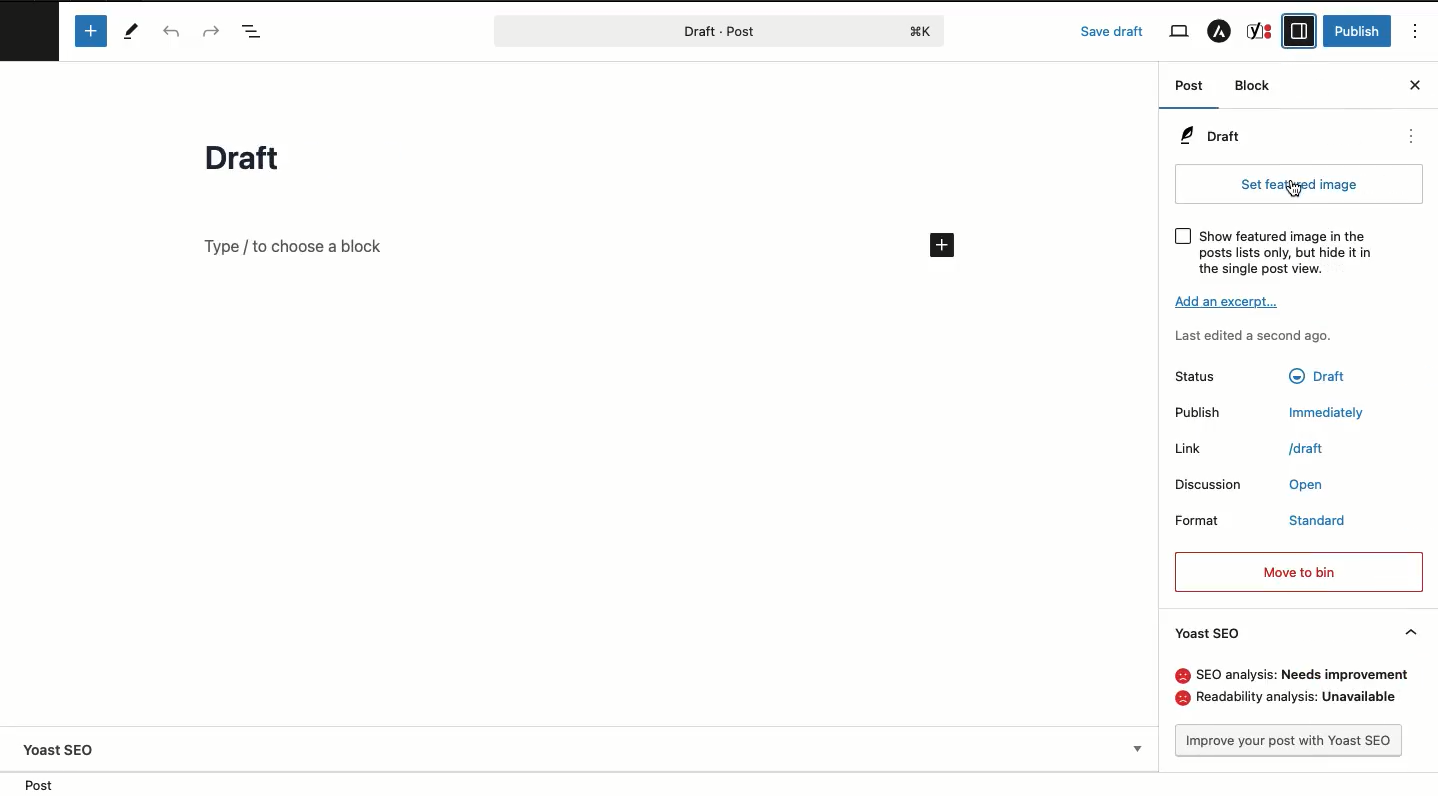  What do you see at coordinates (257, 31) in the screenshot?
I see `Doc overview ` at bounding box center [257, 31].